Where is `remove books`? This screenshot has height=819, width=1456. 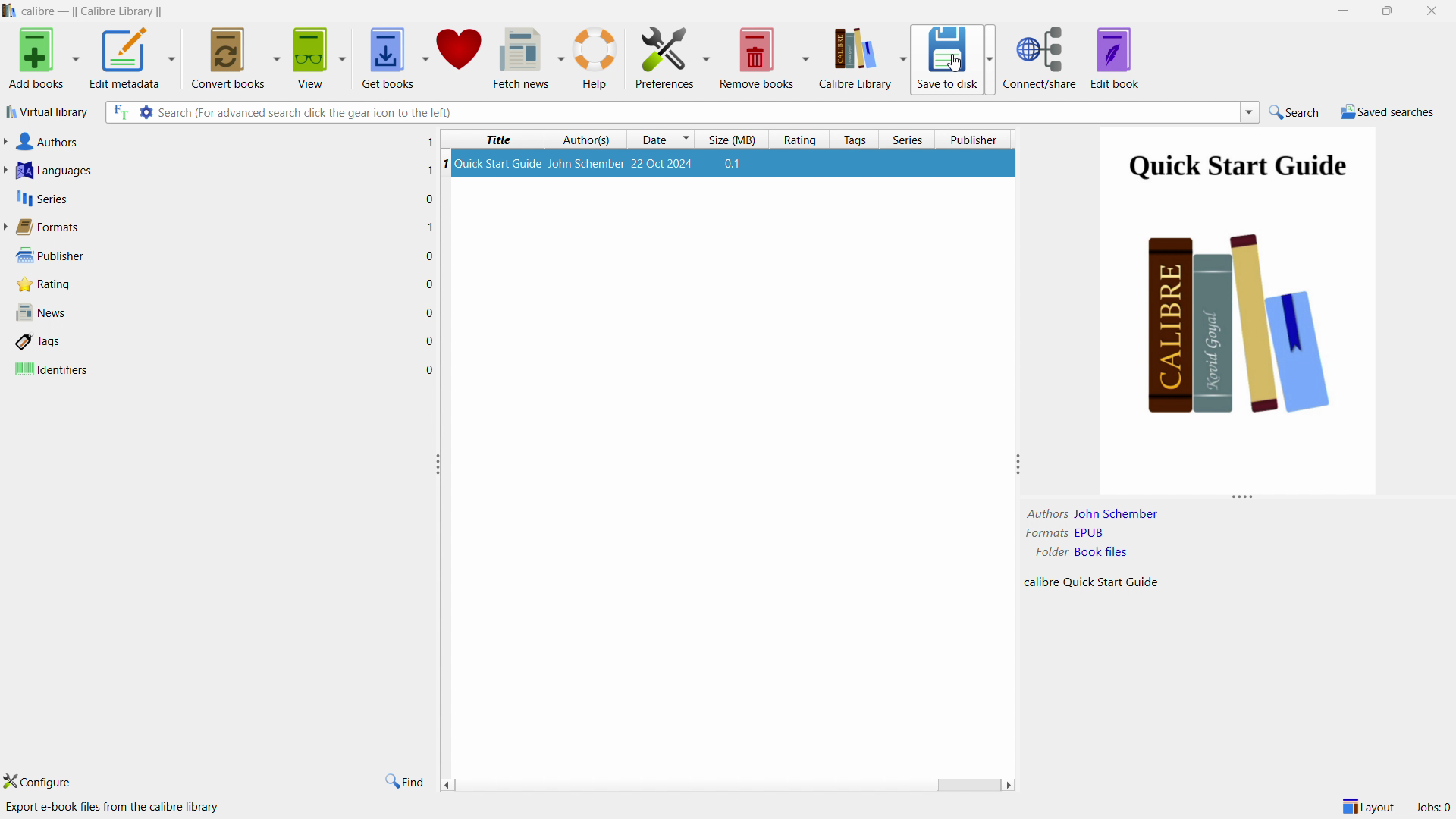
remove books is located at coordinates (767, 57).